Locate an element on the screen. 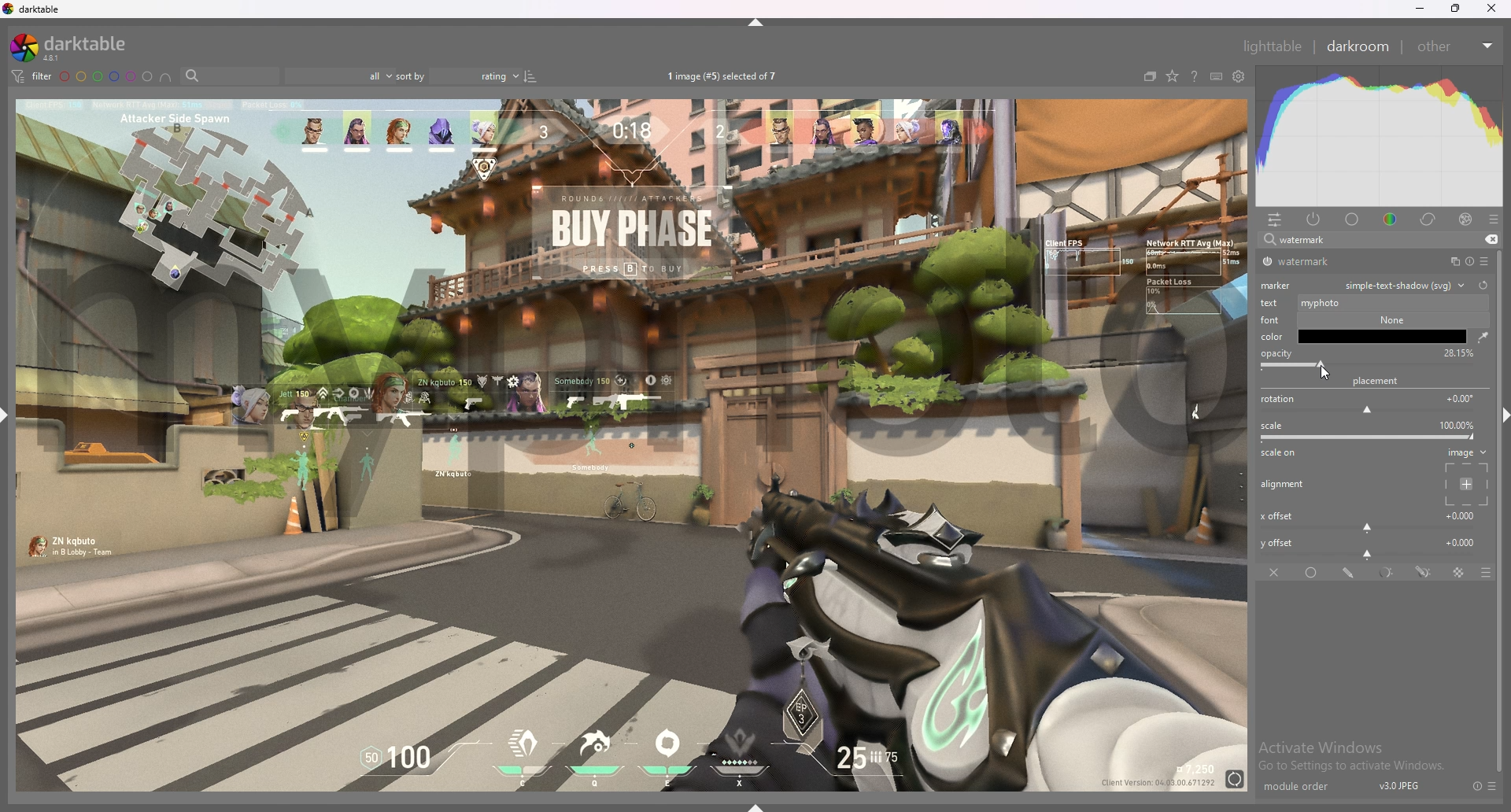 The height and width of the screenshot is (812, 1511). simple text svg is located at coordinates (1387, 366).